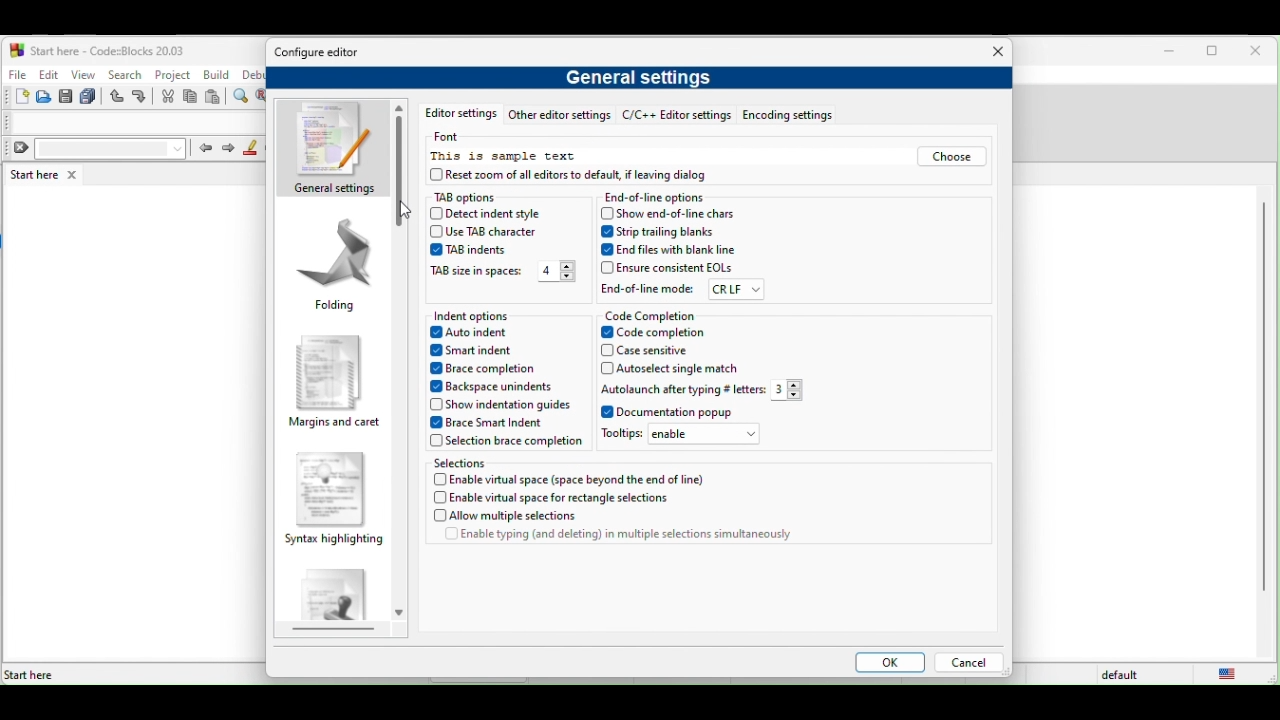  What do you see at coordinates (565, 499) in the screenshot?
I see `enable virtual space for rectangle selection` at bounding box center [565, 499].